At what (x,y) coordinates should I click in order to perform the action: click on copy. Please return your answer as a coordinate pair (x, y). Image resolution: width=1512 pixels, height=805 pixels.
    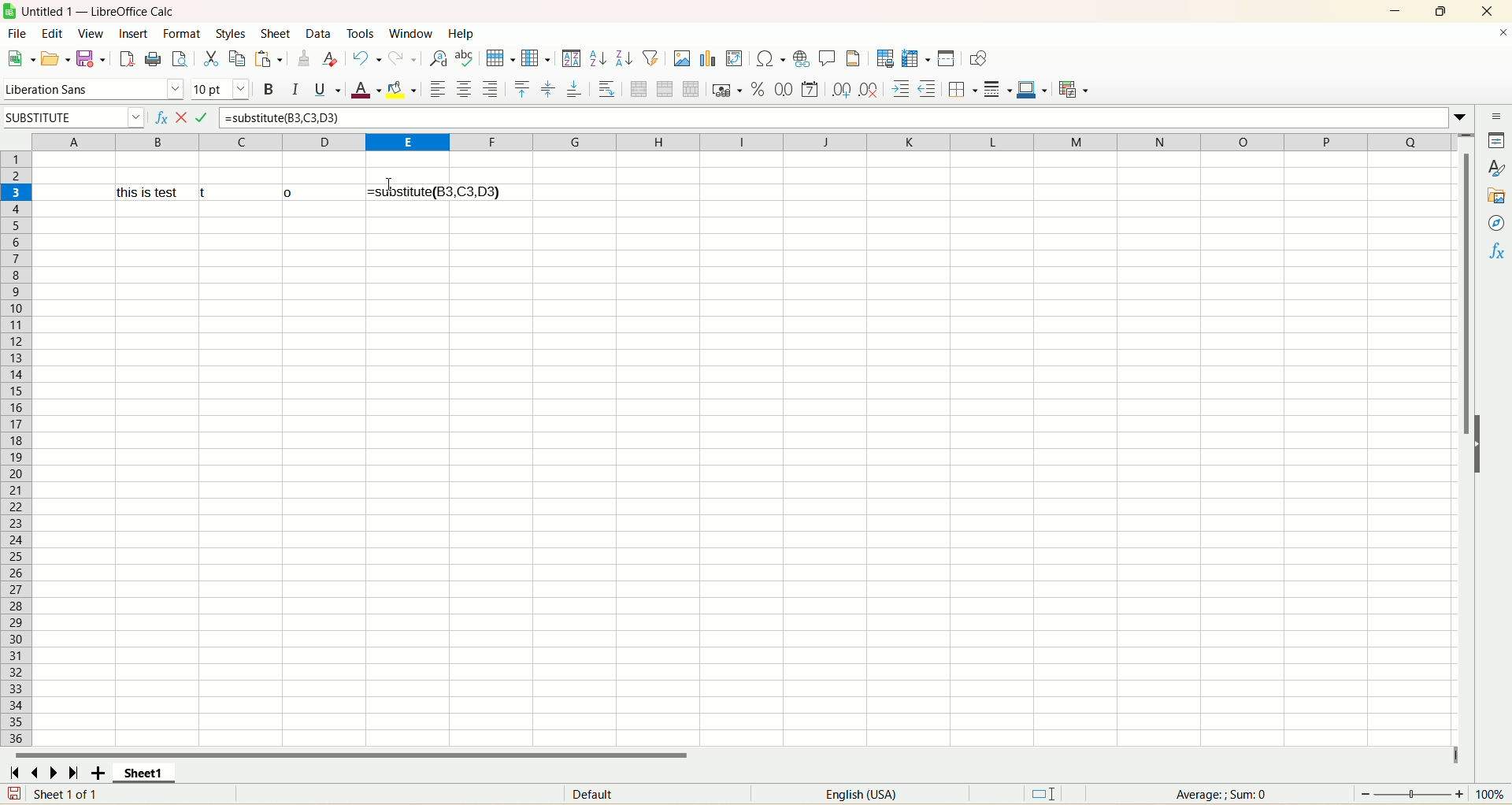
    Looking at the image, I should click on (237, 57).